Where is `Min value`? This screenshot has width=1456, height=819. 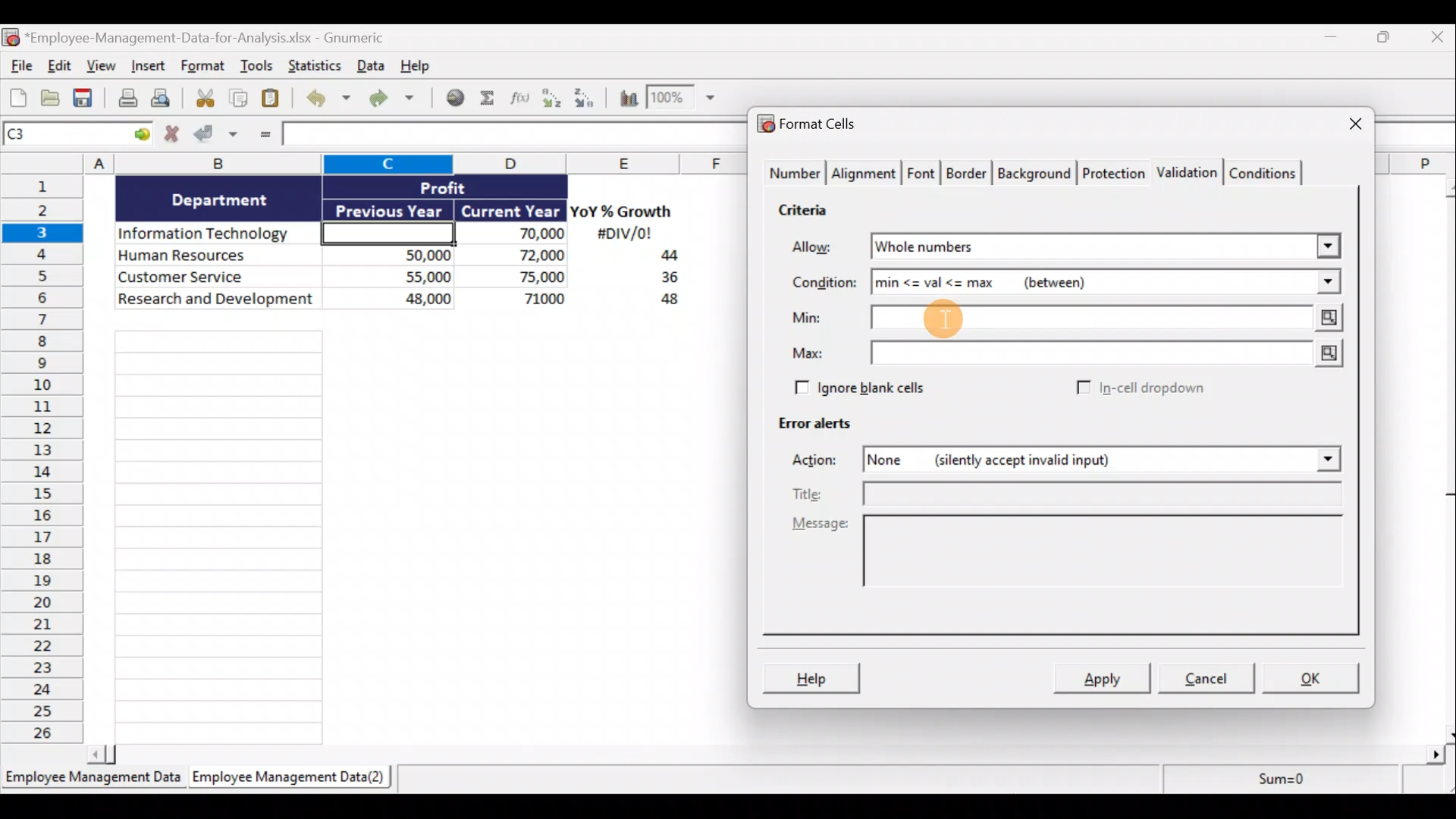
Min value is located at coordinates (1107, 318).